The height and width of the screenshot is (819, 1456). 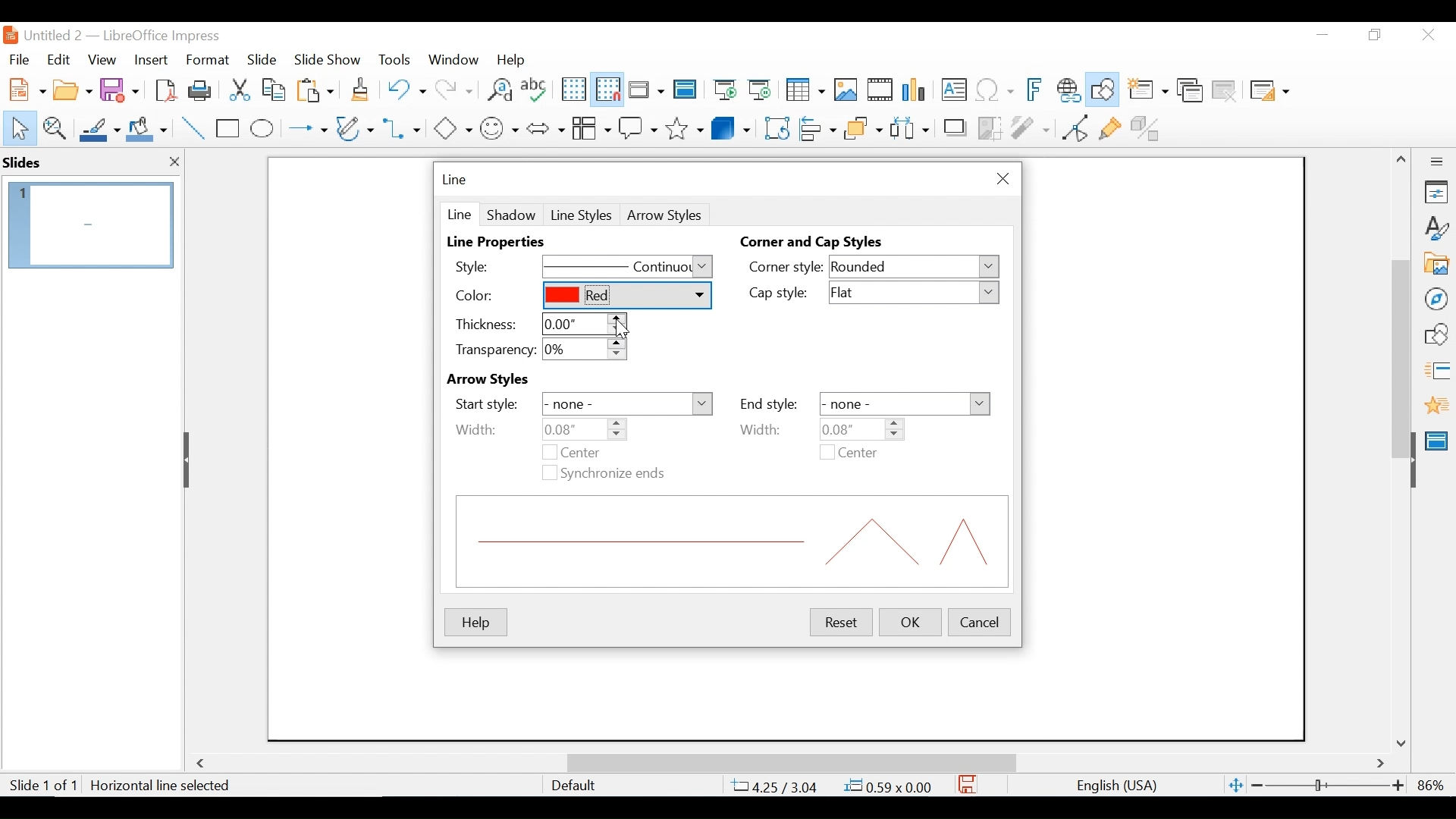 What do you see at coordinates (493, 350) in the screenshot?
I see `Transparency` at bounding box center [493, 350].